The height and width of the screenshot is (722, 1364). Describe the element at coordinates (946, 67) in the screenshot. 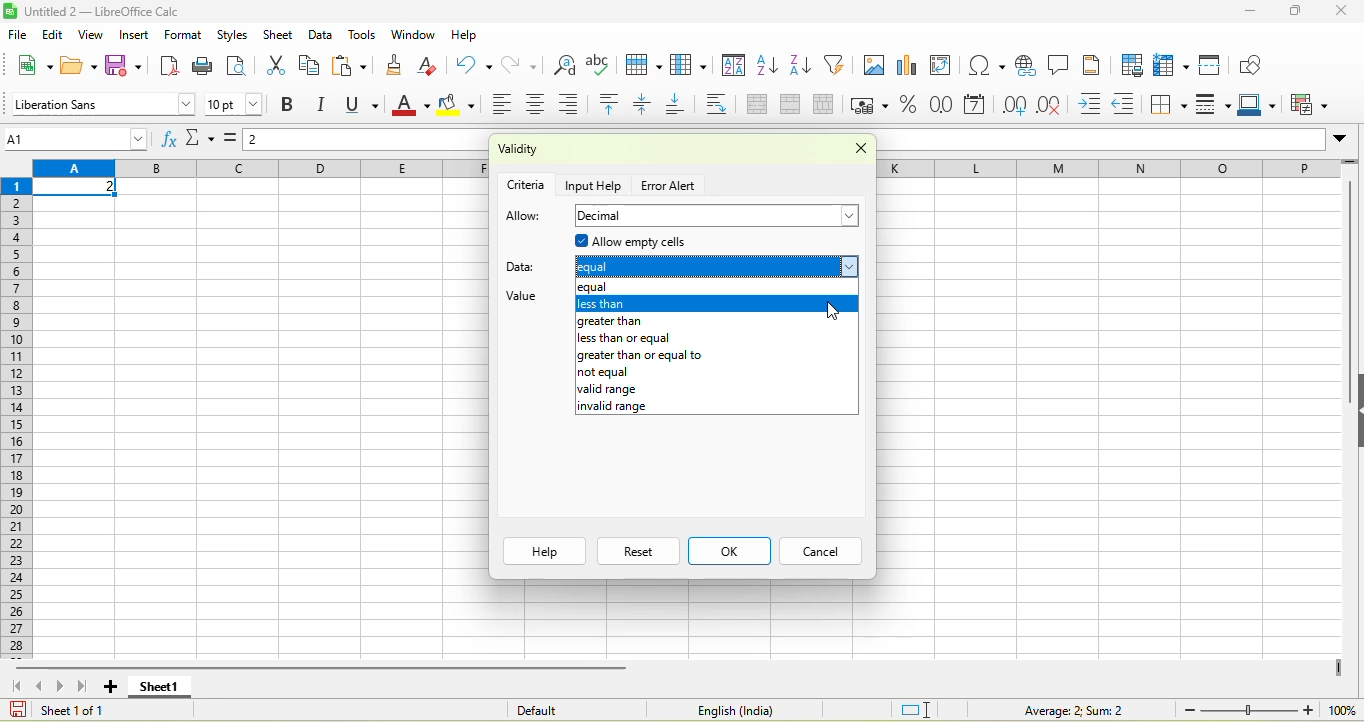

I see `pivot table` at that location.